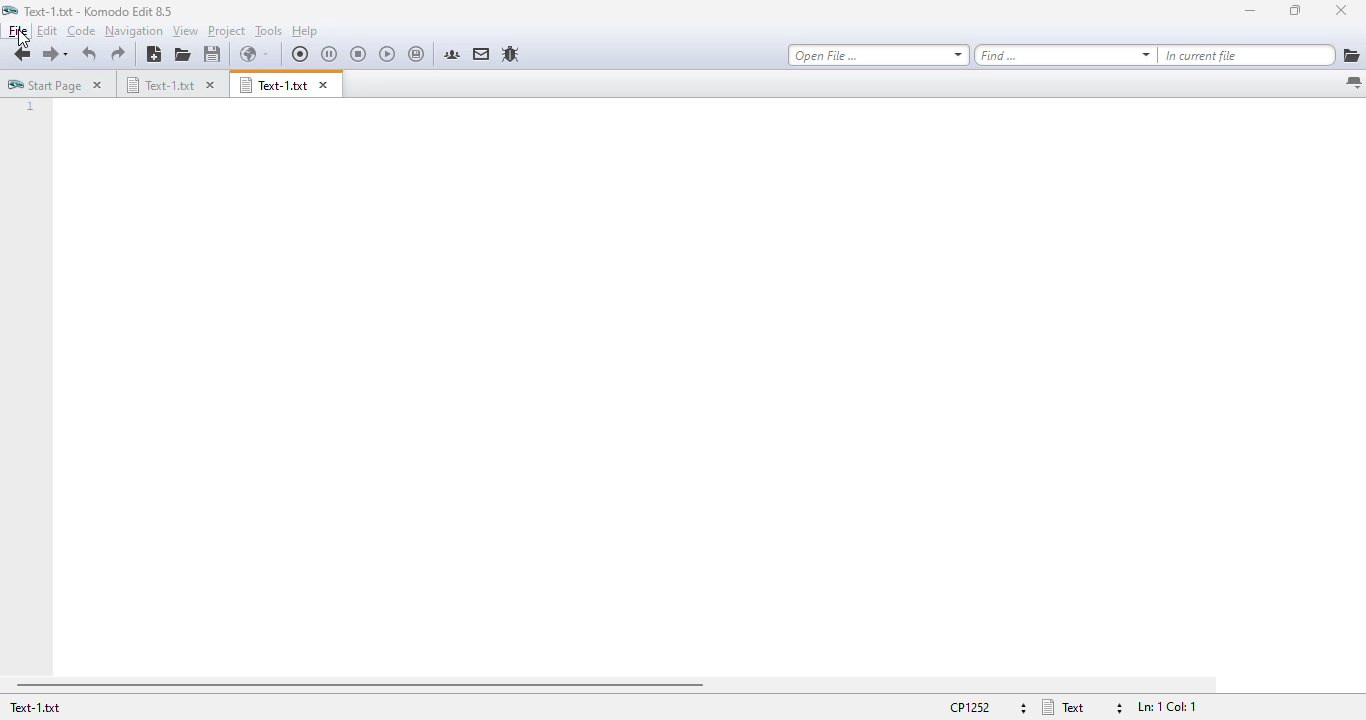 The image size is (1366, 720). Describe the element at coordinates (91, 54) in the screenshot. I see `undo last action` at that location.